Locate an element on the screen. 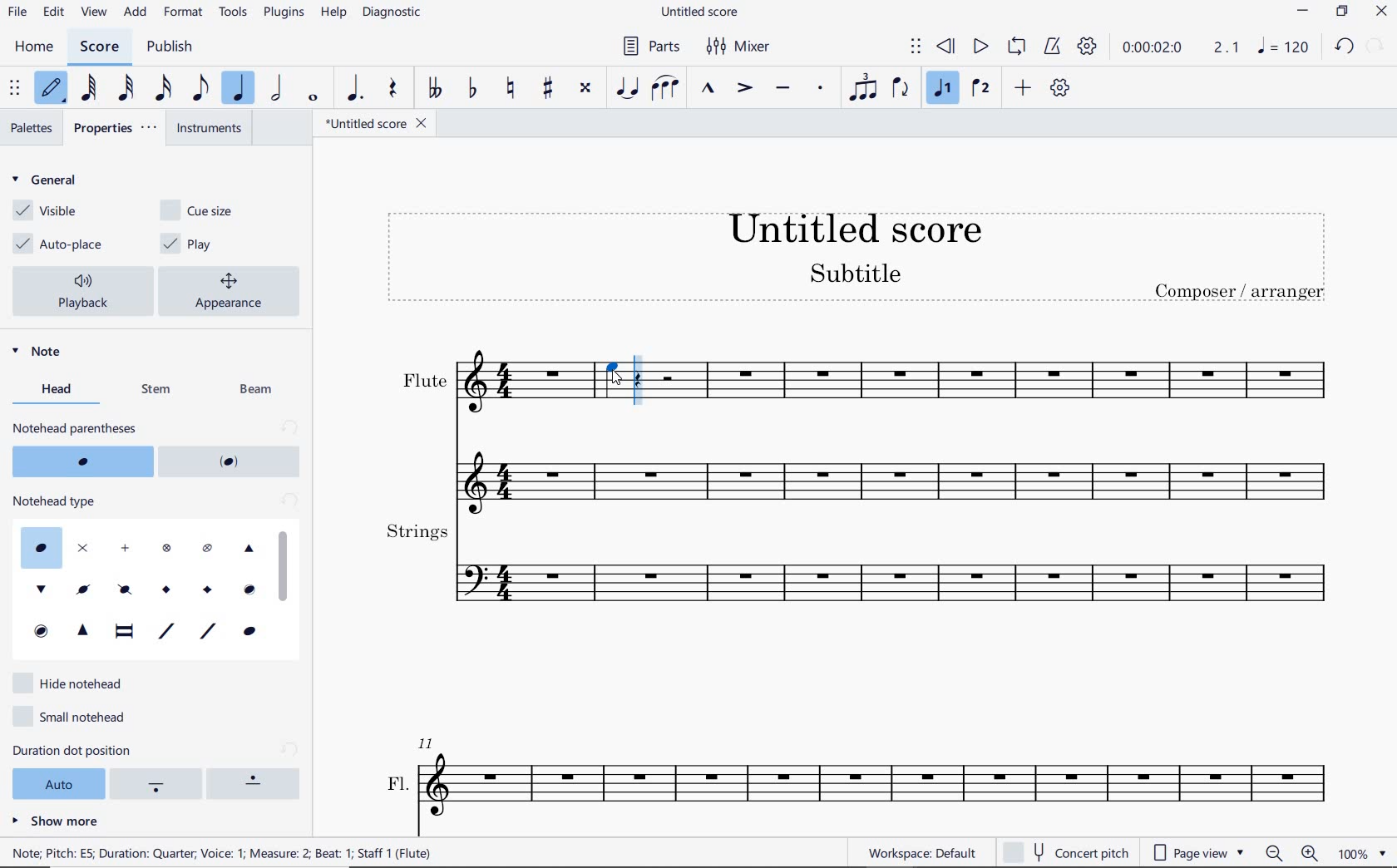 This screenshot has height=868, width=1397. SMALL NOTEHEAD is located at coordinates (73, 718).